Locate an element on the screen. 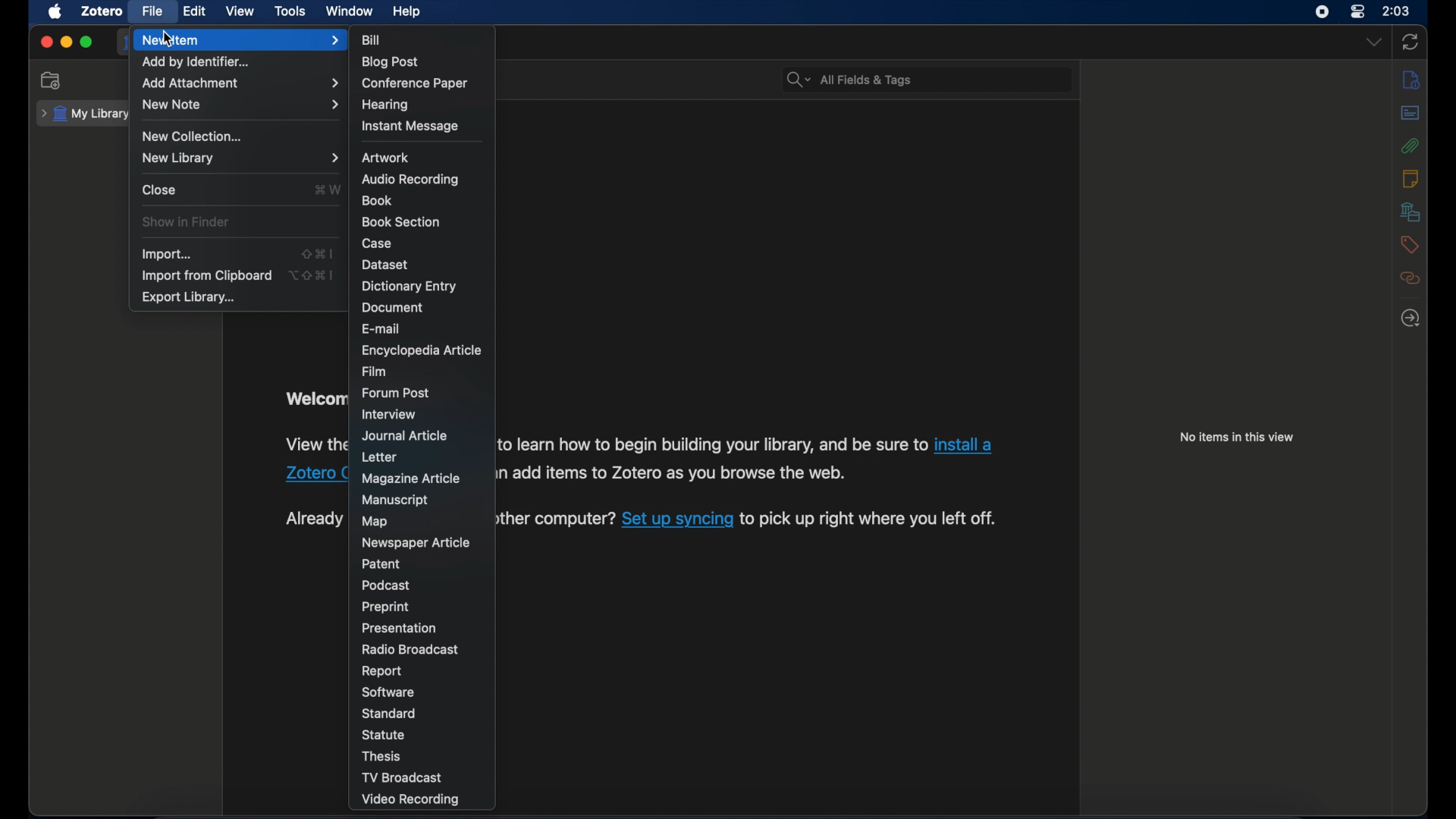 Image resolution: width=1456 pixels, height=819 pixels. map is located at coordinates (375, 522).